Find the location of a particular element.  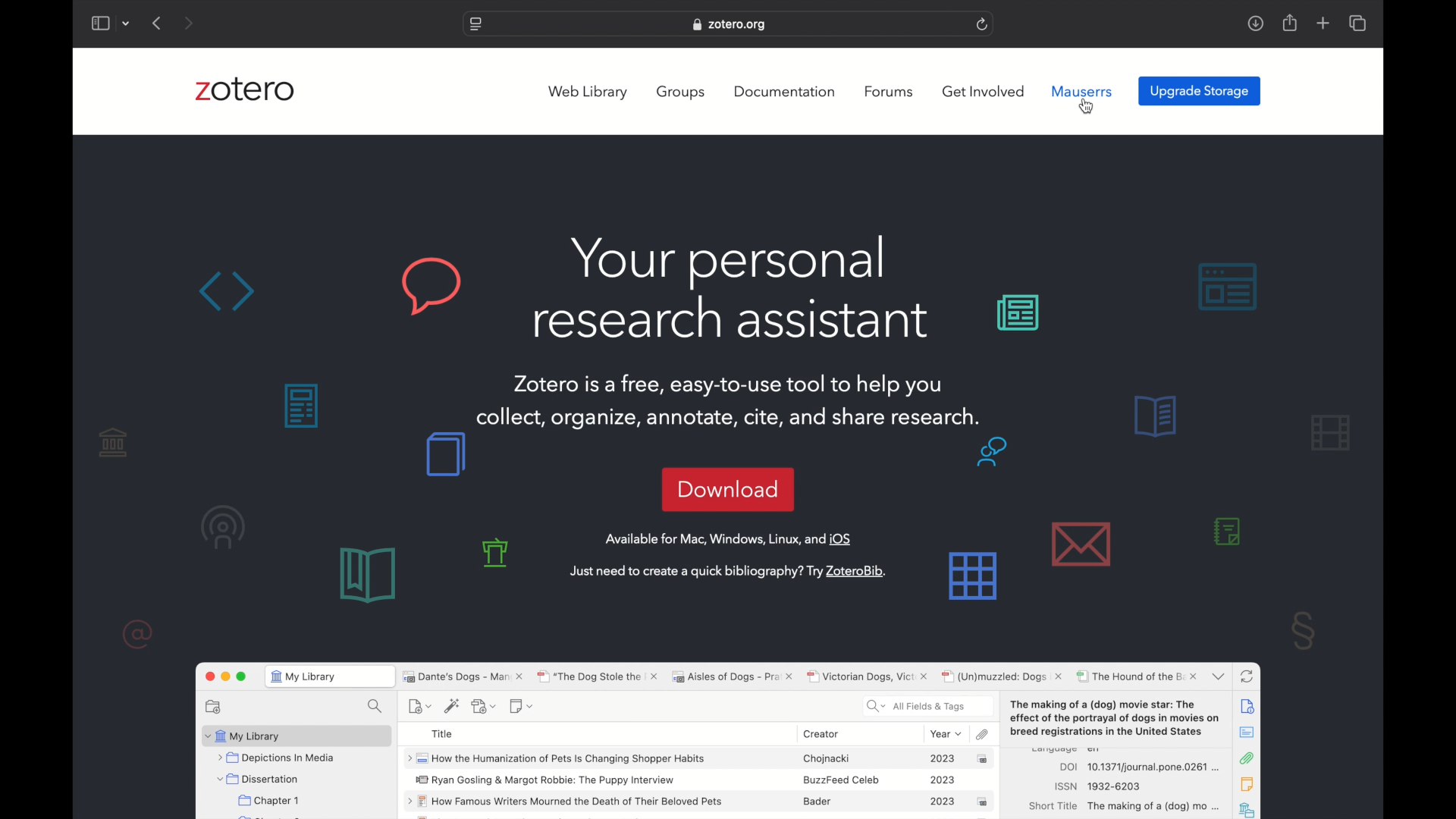

show tab overview is located at coordinates (1357, 23).